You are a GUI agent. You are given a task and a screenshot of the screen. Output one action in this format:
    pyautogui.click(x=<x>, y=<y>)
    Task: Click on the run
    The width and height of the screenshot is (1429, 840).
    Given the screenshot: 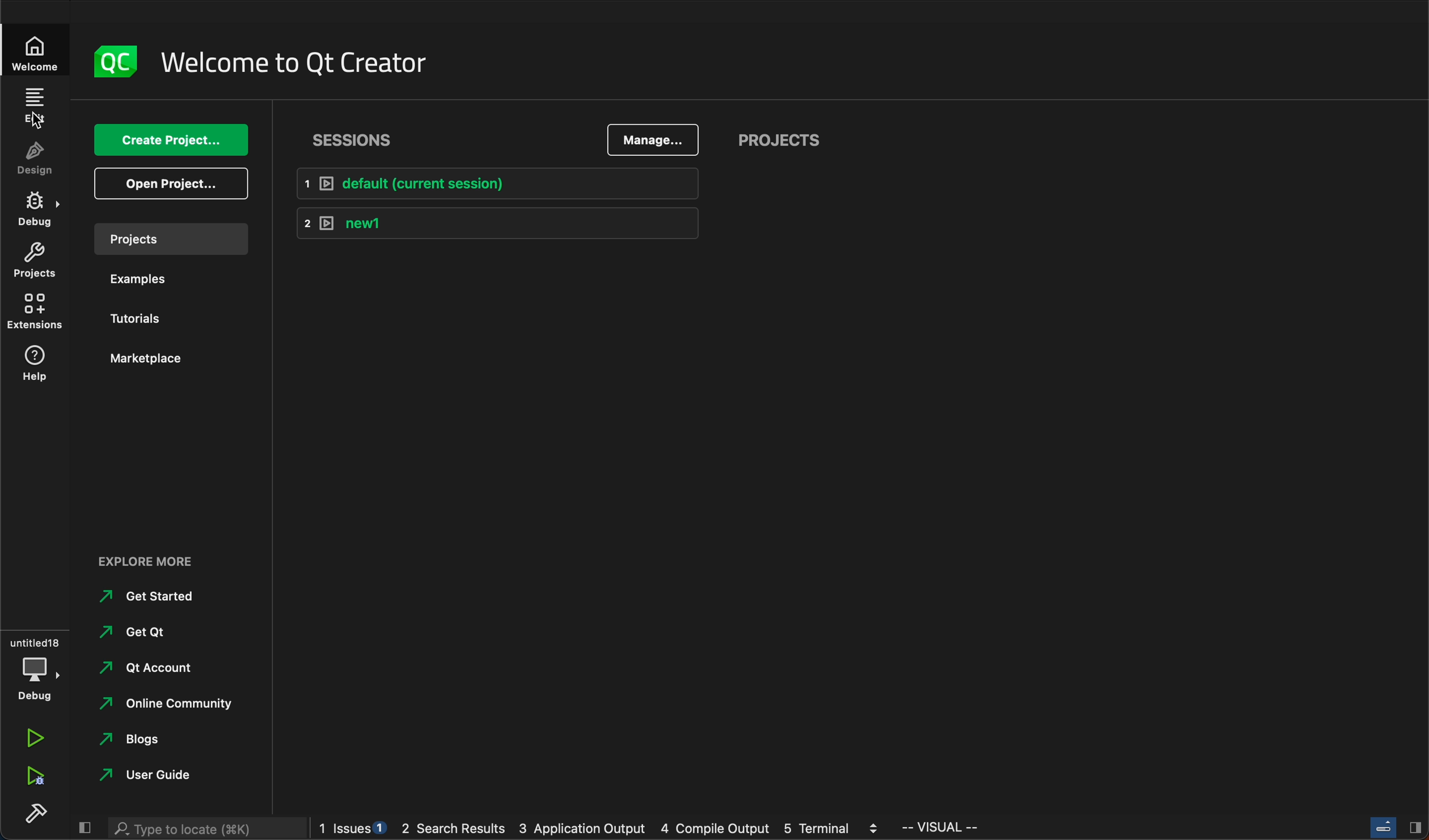 What is the action you would take?
    pyautogui.click(x=35, y=739)
    